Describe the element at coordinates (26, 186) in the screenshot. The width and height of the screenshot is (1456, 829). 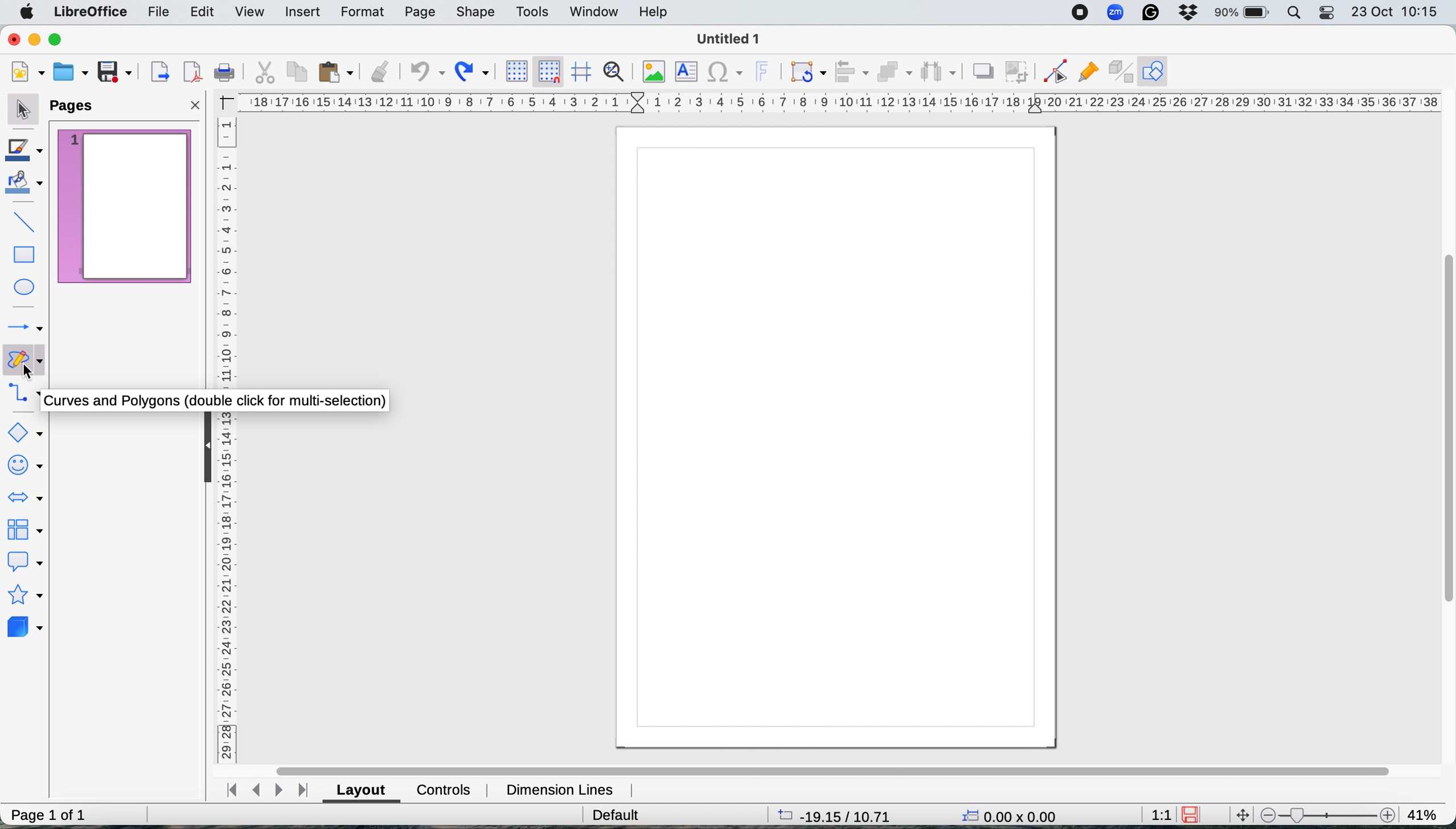
I see `fill color` at that location.